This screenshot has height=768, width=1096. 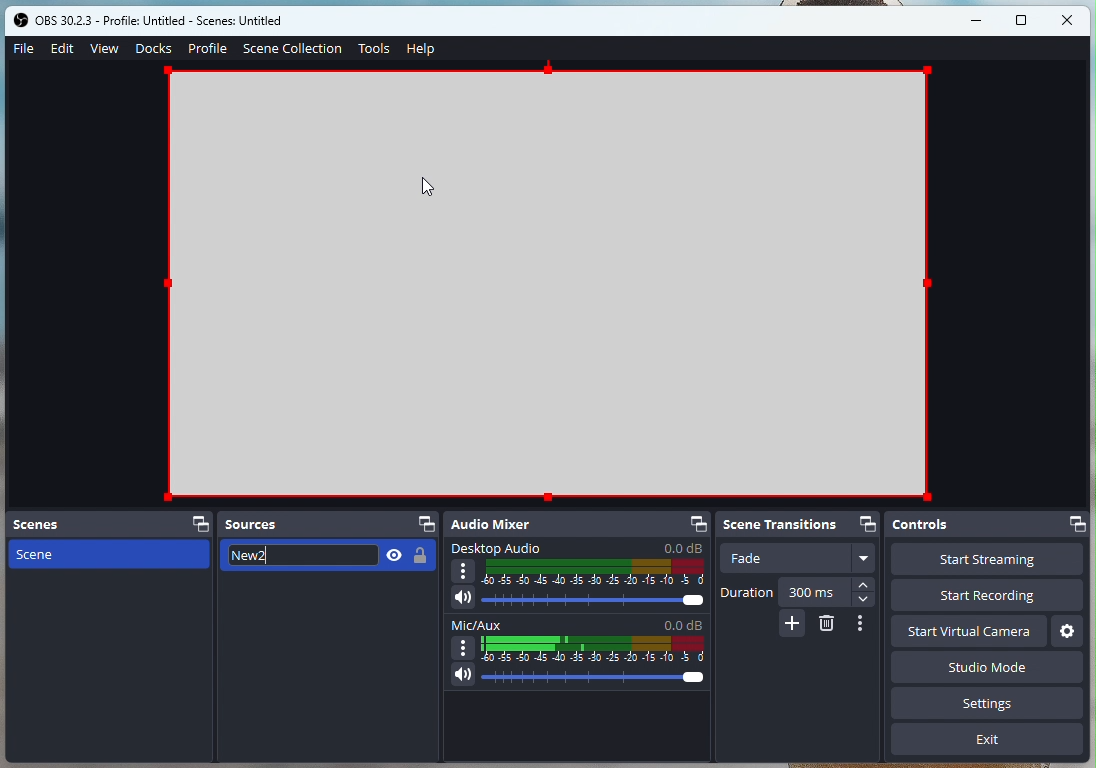 I want to click on Start Streaming, so click(x=986, y=561).